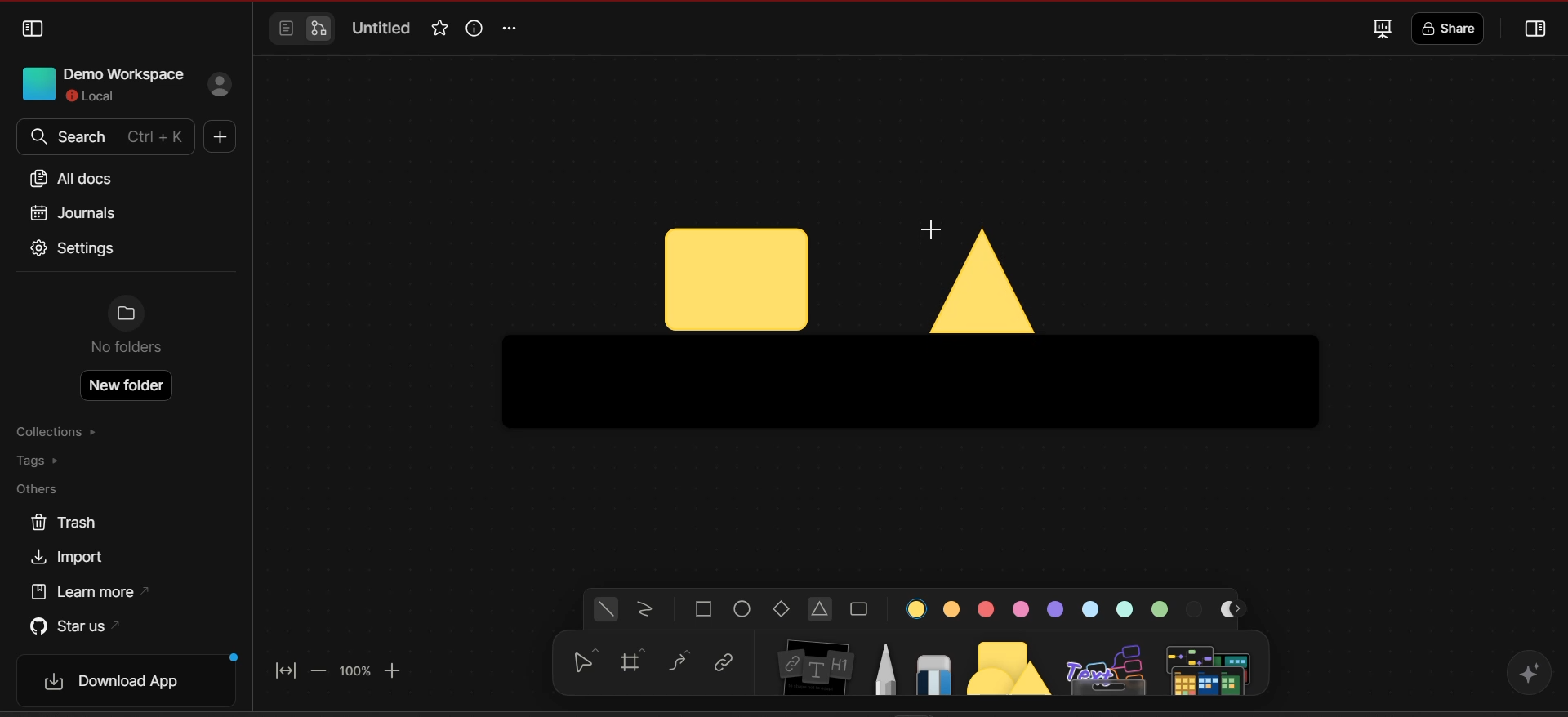  I want to click on shapes, so click(1011, 664).